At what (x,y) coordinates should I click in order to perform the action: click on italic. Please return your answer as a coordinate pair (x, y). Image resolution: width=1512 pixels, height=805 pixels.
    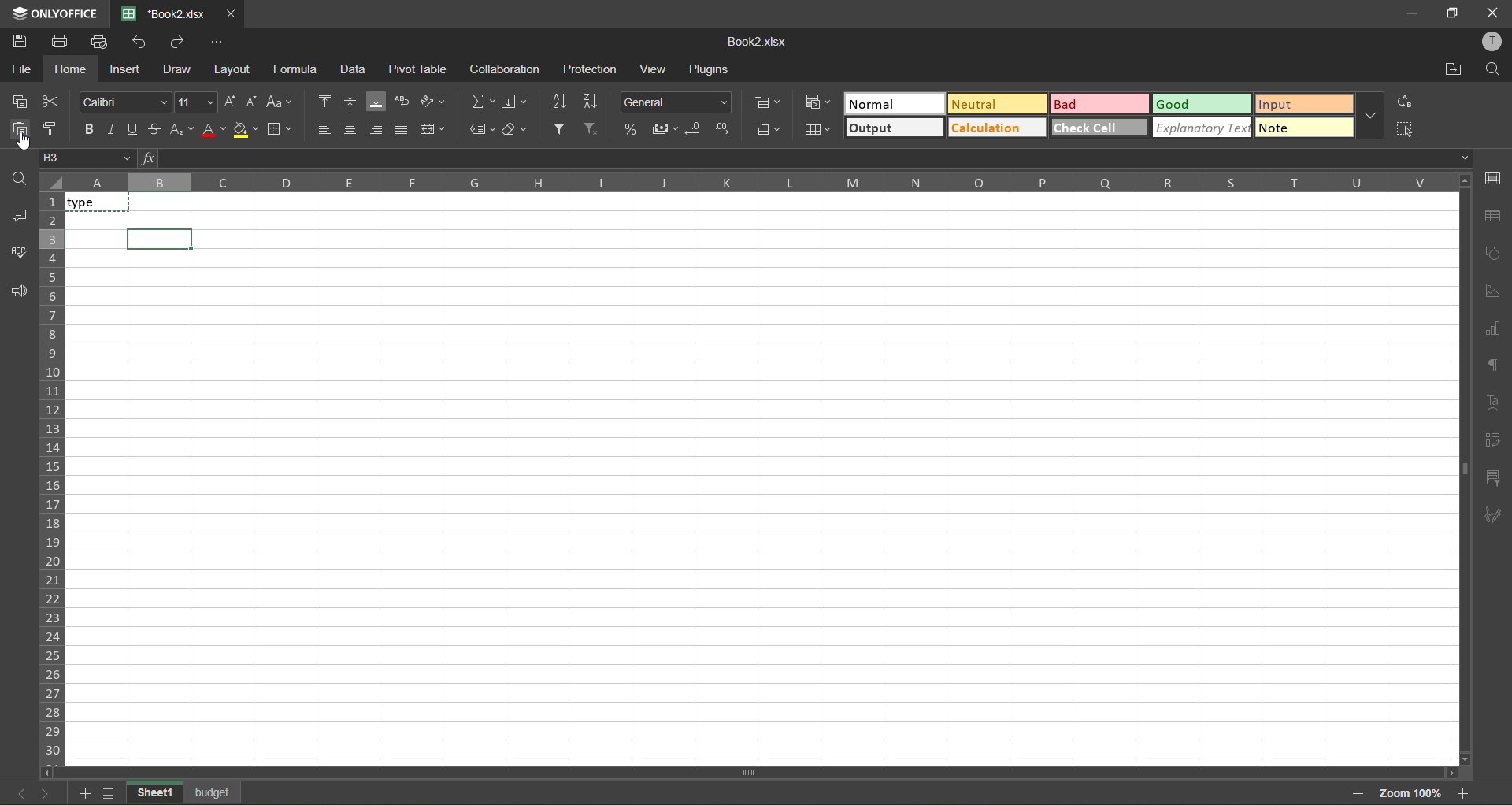
    Looking at the image, I should click on (110, 129).